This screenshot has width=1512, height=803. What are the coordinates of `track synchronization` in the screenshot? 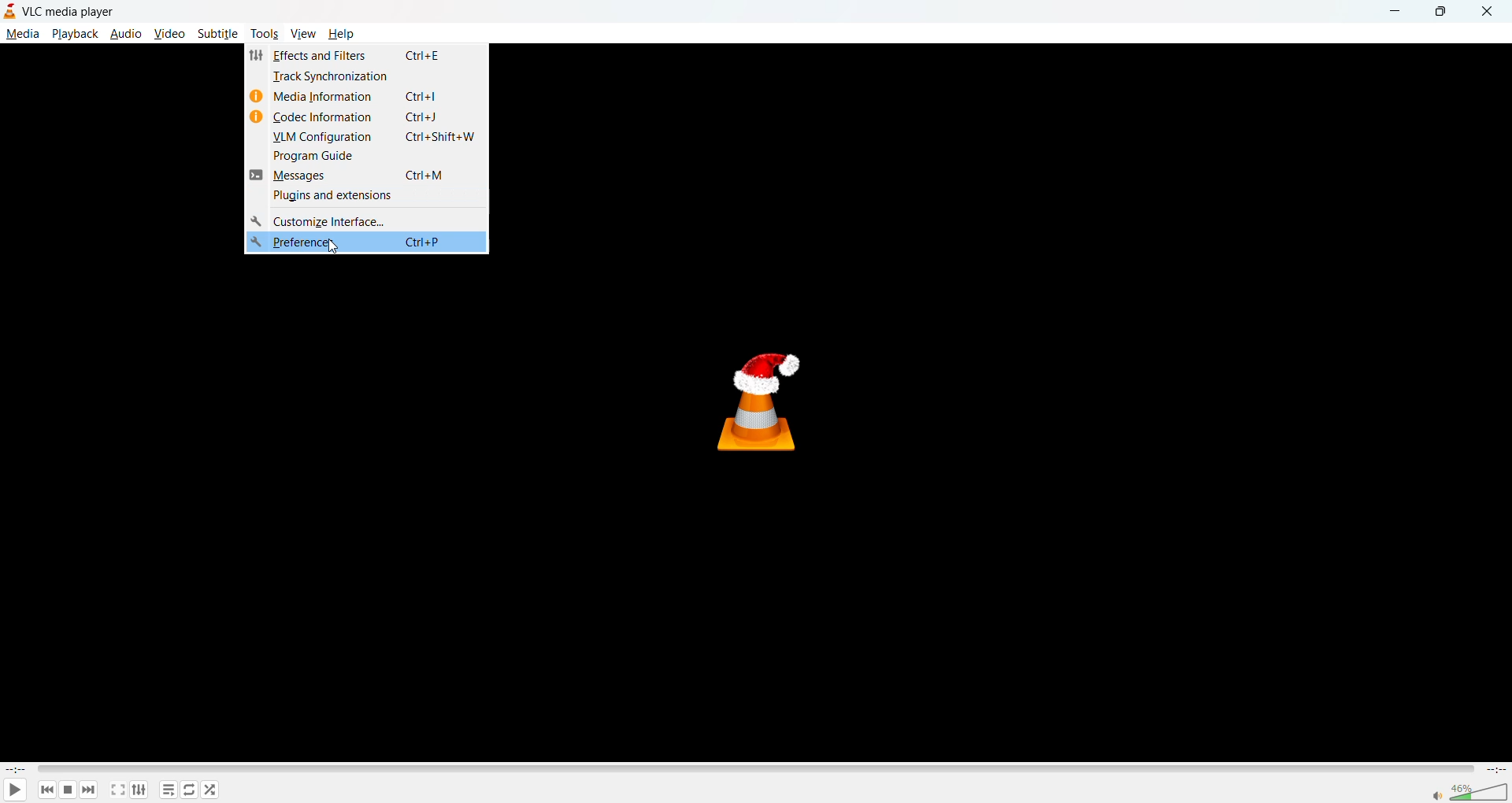 It's located at (335, 76).